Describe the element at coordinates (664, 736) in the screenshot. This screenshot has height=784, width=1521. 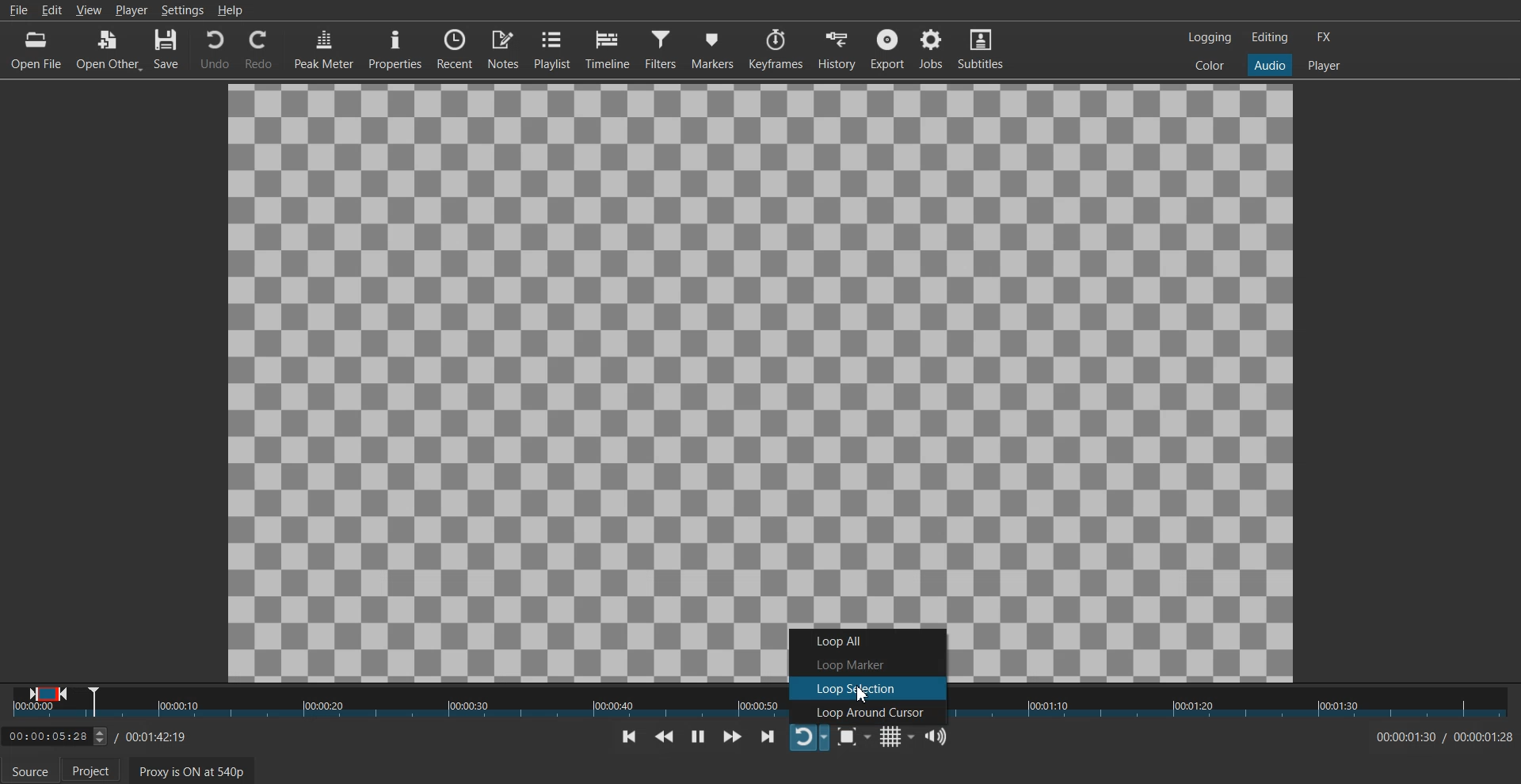
I see `Play Quickly Backwards` at that location.